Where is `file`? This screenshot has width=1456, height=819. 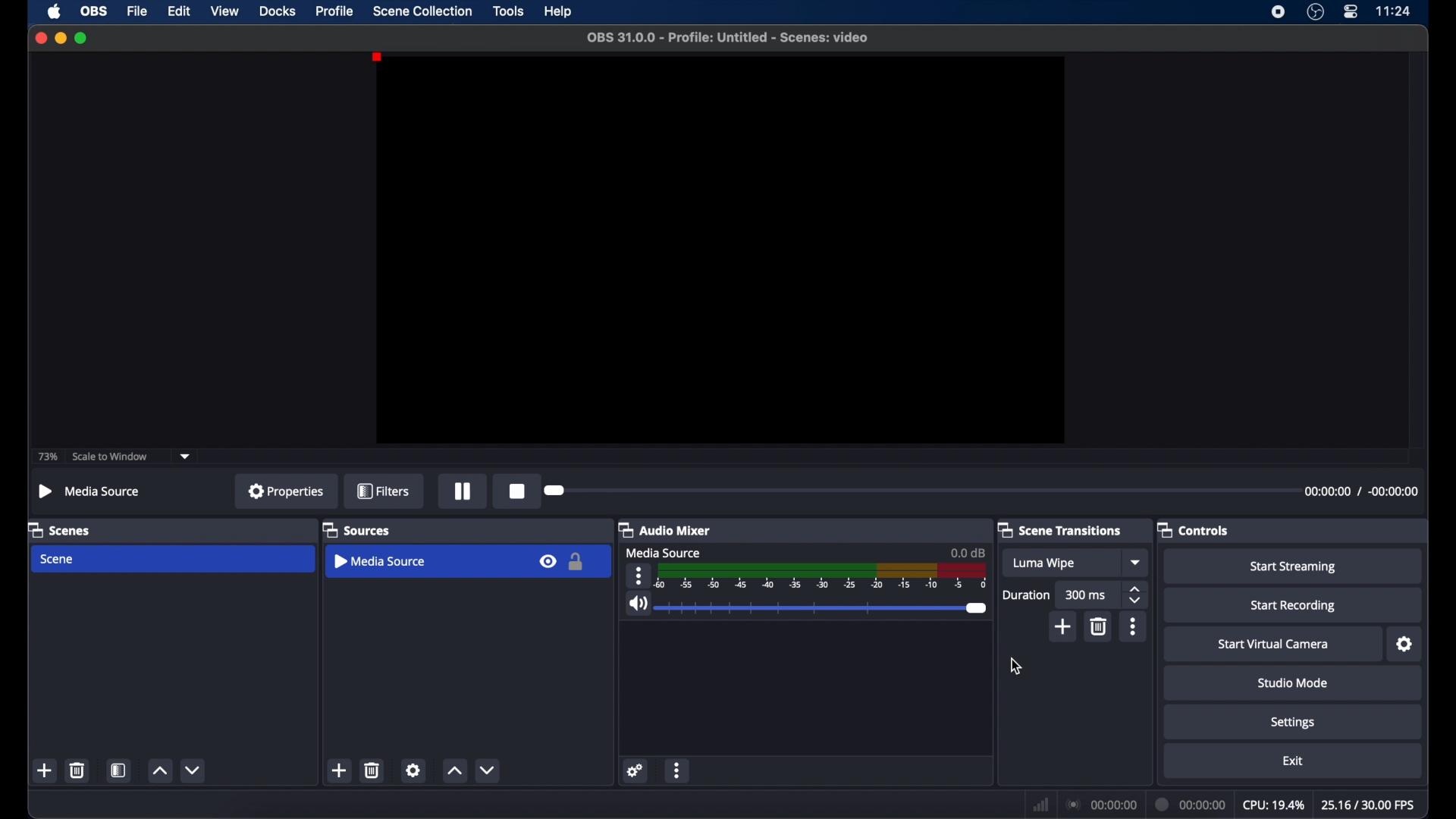 file is located at coordinates (138, 11).